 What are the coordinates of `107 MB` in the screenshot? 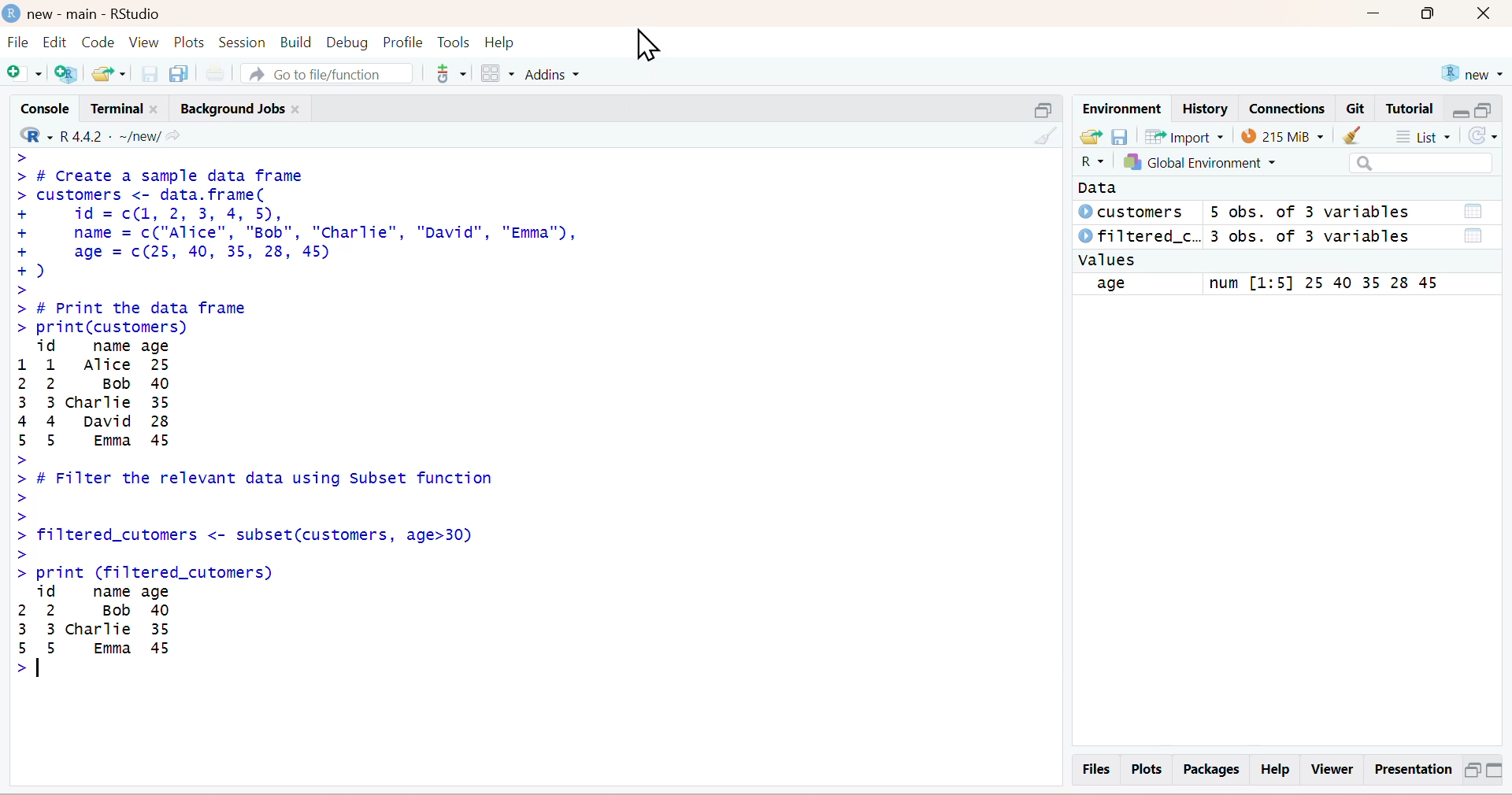 It's located at (1283, 135).